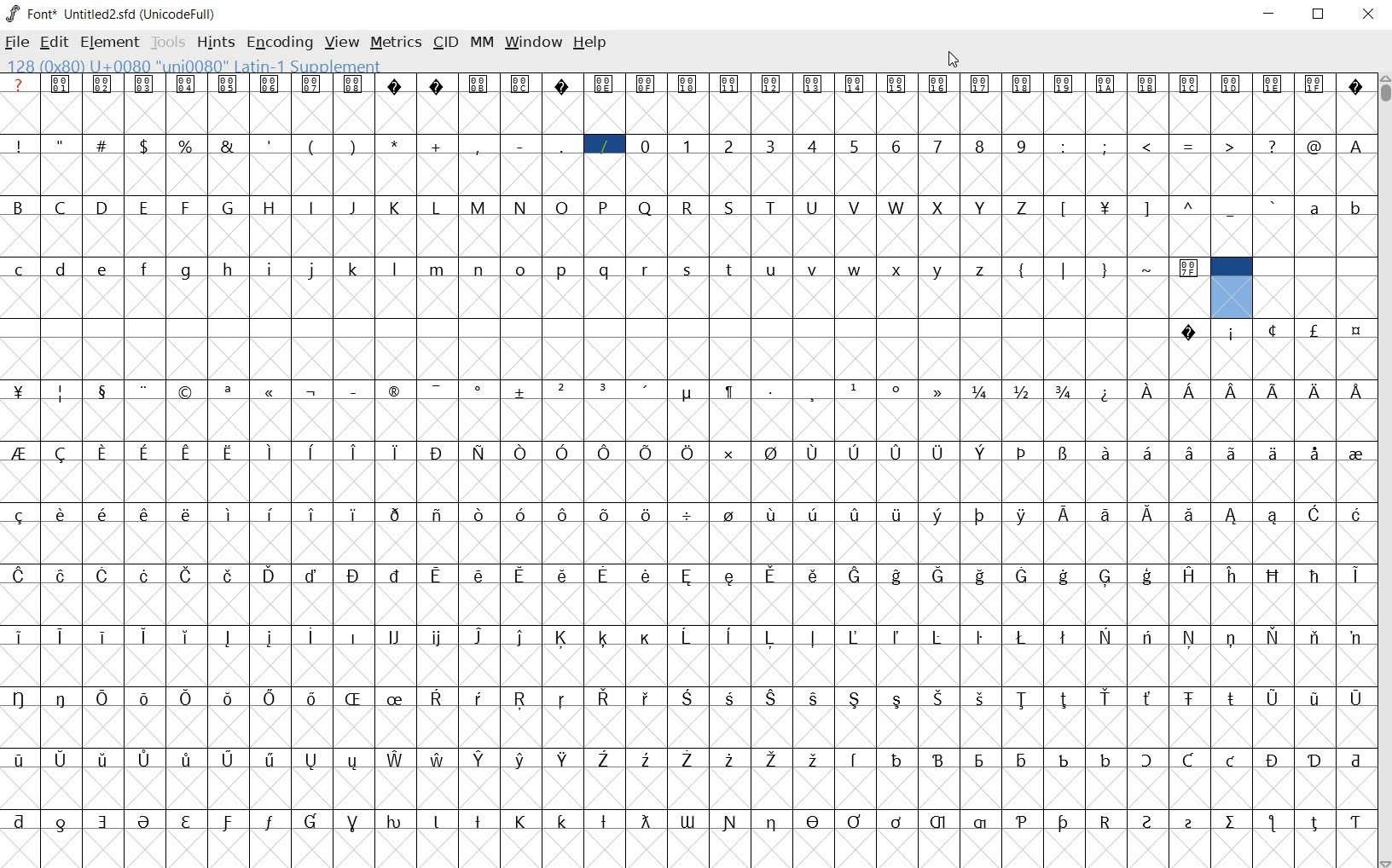  What do you see at coordinates (591, 43) in the screenshot?
I see `Help` at bounding box center [591, 43].